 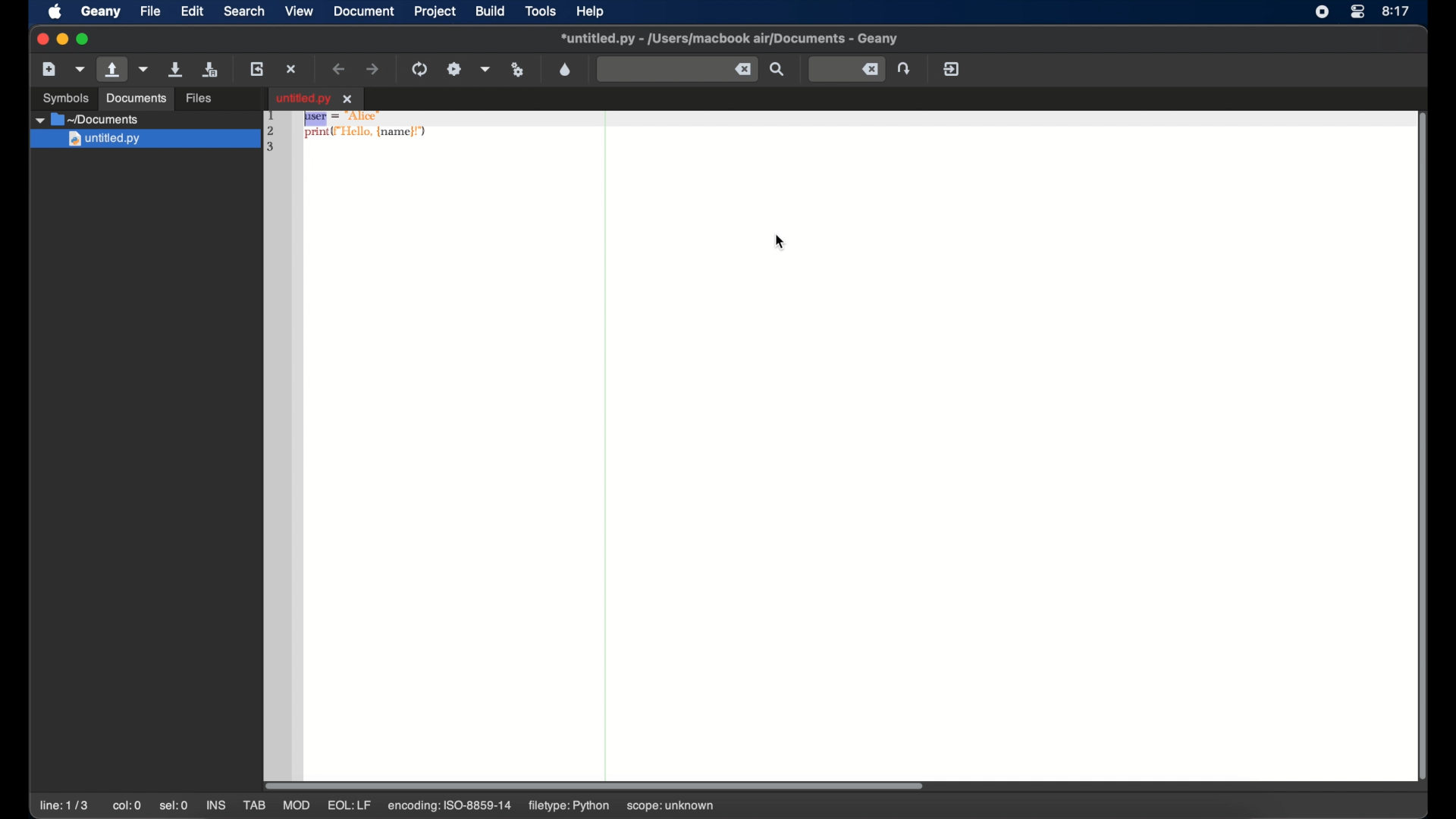 What do you see at coordinates (174, 807) in the screenshot?
I see `sel:0` at bounding box center [174, 807].